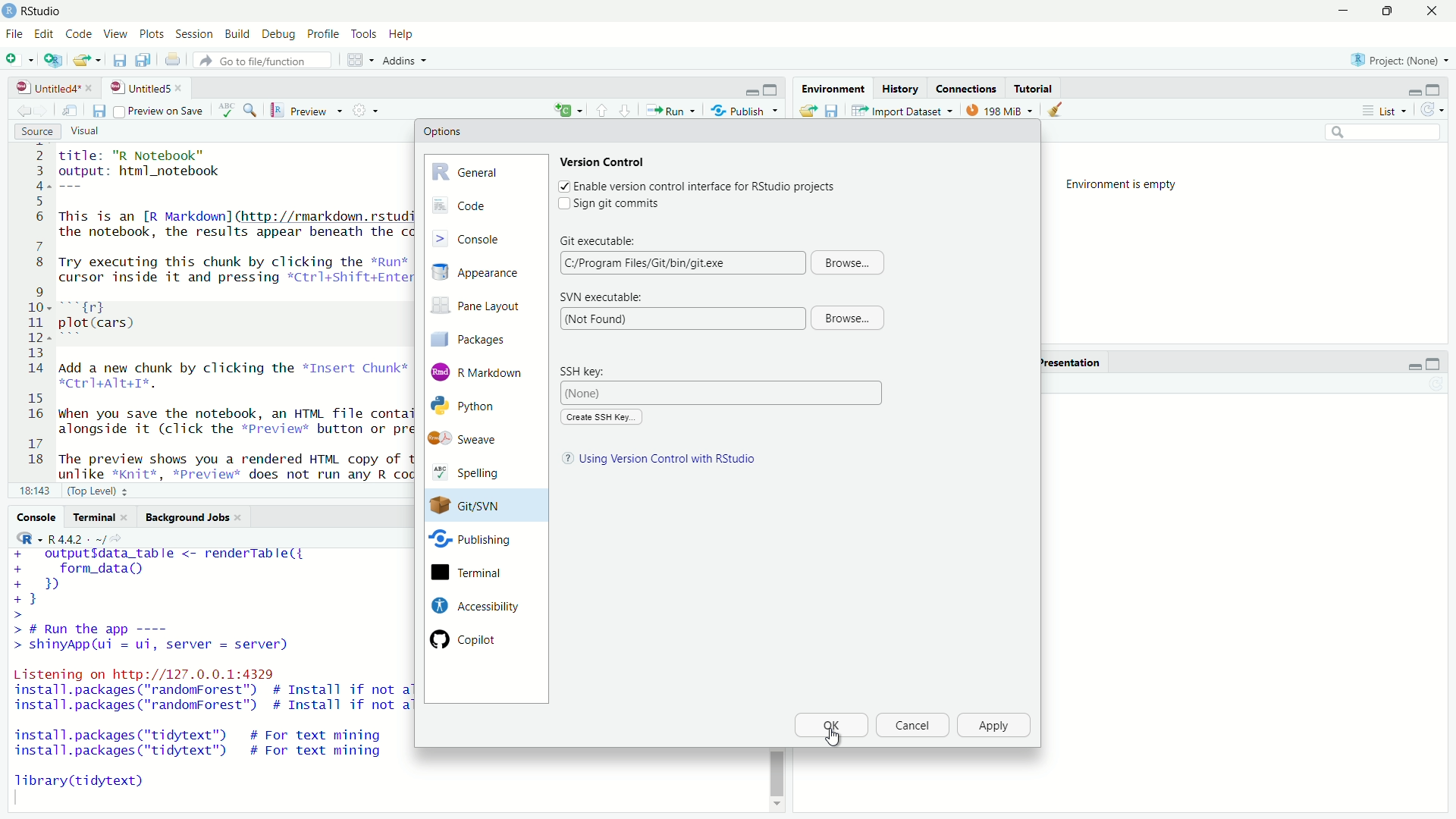  Describe the element at coordinates (745, 109) in the screenshot. I see `Publish` at that location.